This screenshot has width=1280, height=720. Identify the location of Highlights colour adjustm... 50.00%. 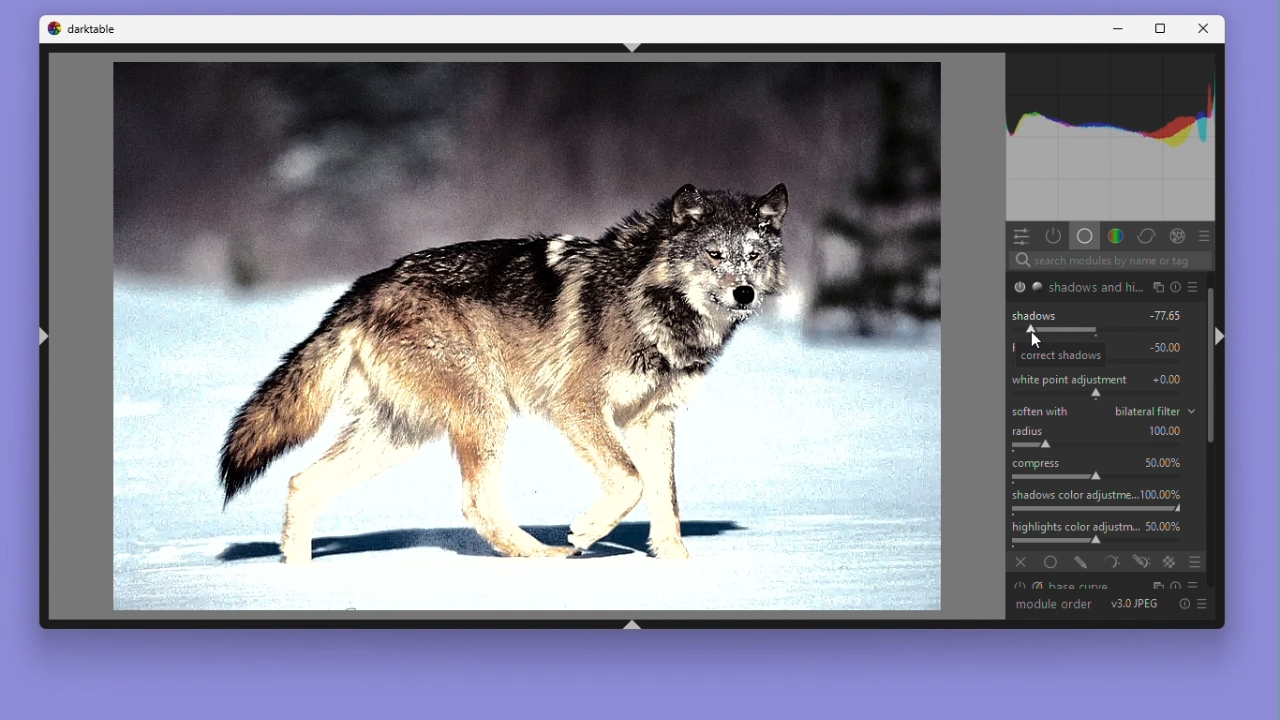
(1096, 527).